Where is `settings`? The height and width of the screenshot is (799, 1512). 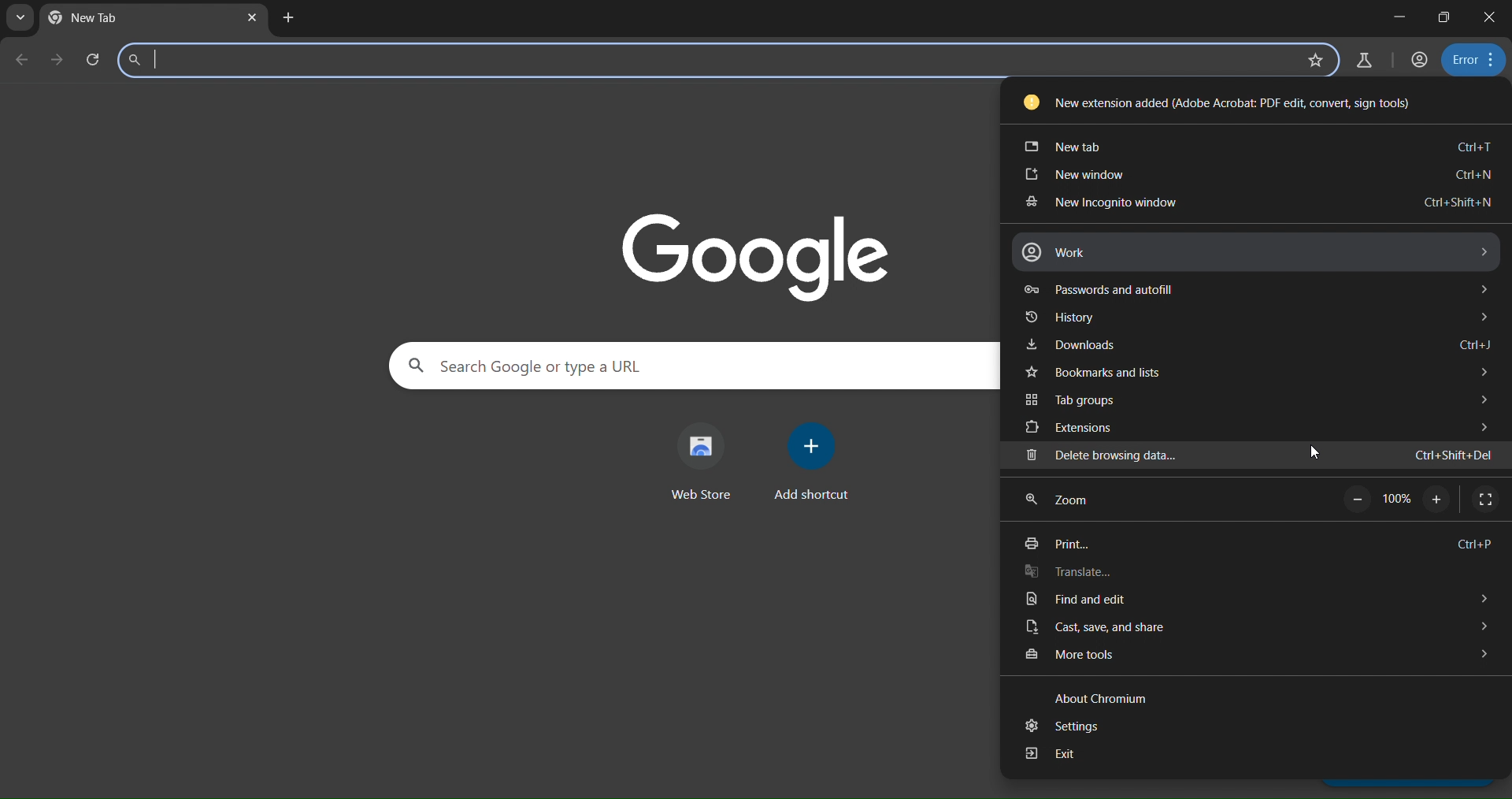 settings is located at coordinates (1243, 727).